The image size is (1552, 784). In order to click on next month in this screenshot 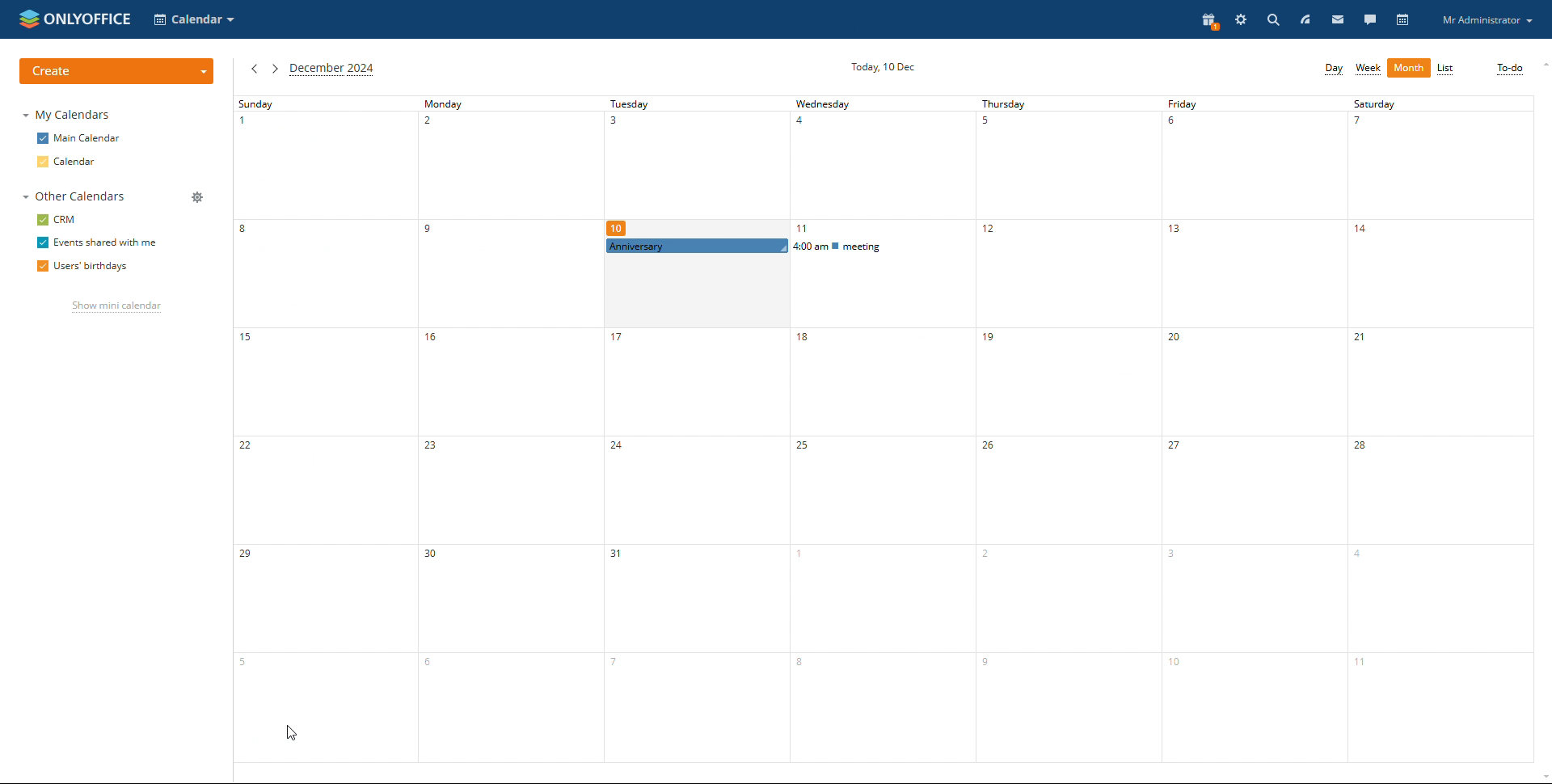, I will do `click(274, 69)`.